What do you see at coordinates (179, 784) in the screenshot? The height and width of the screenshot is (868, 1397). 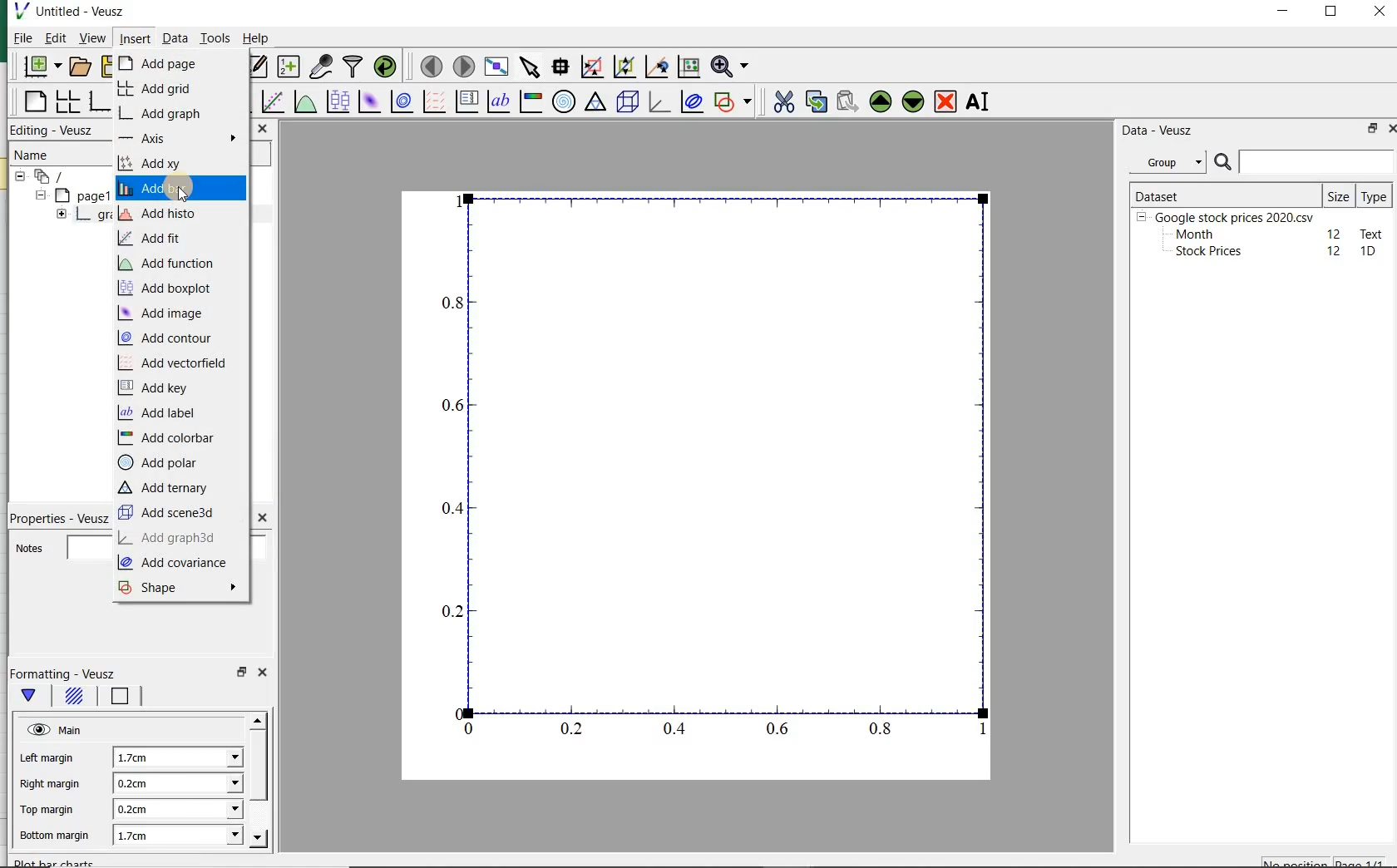 I see `0.2cm` at bounding box center [179, 784].